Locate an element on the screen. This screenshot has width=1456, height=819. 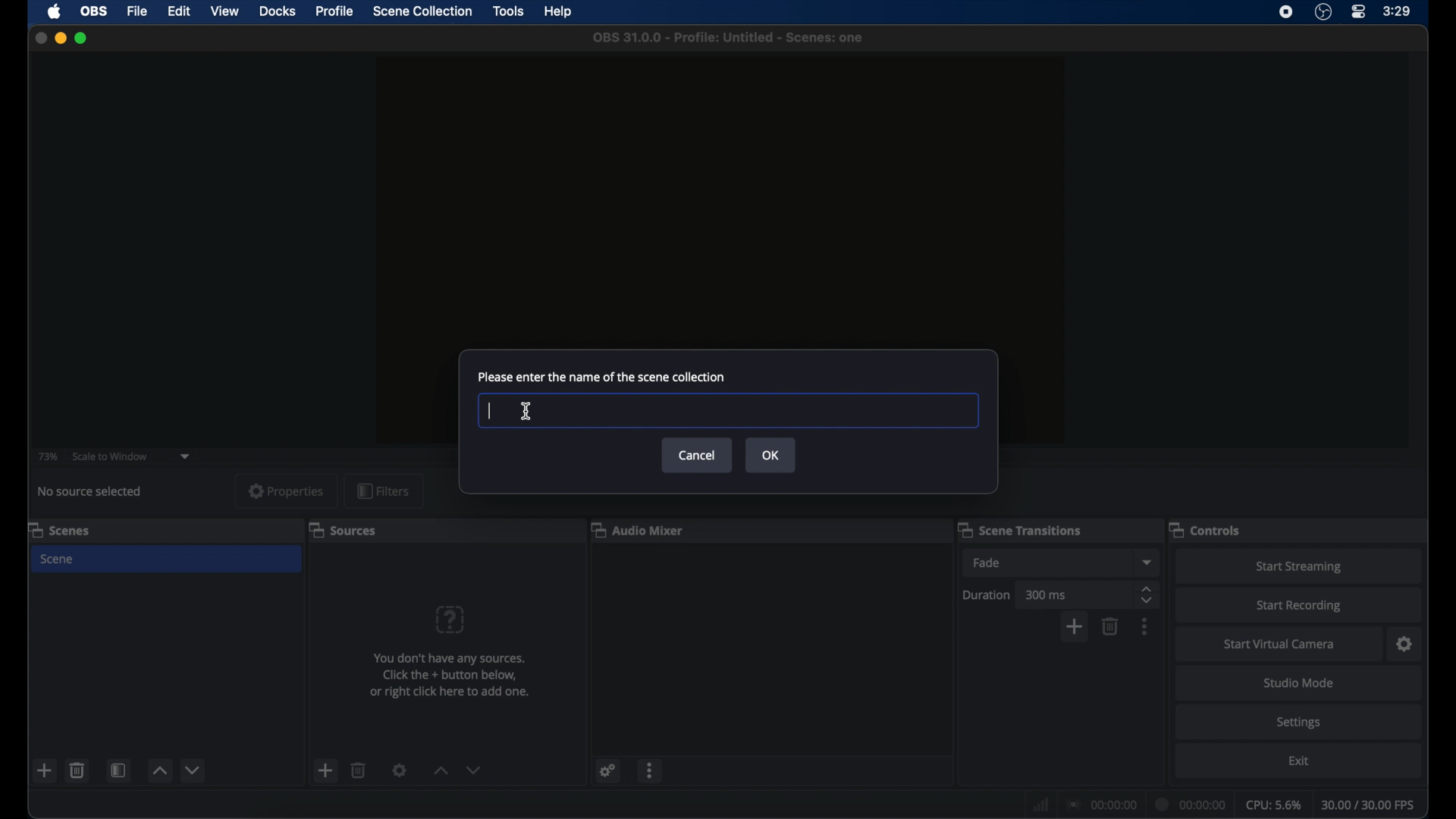
ok is located at coordinates (770, 455).